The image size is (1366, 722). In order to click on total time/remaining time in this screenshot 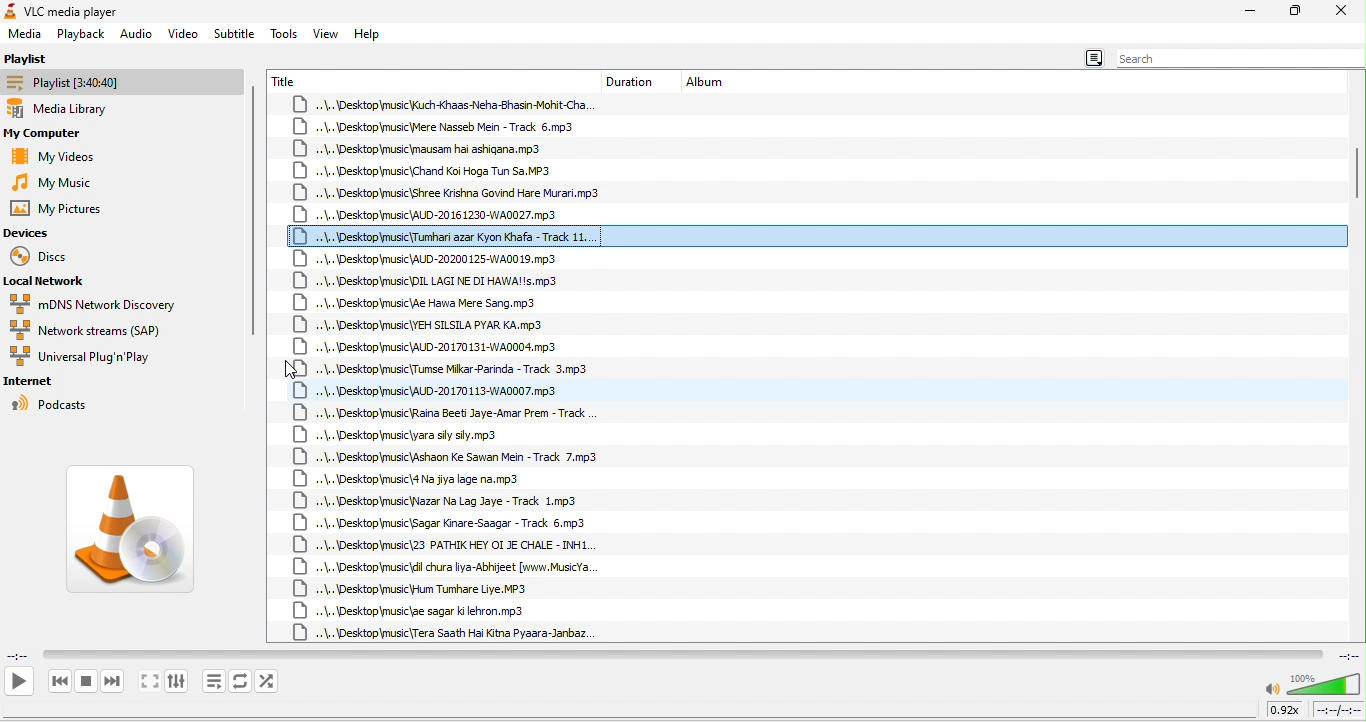, I will do `click(1337, 710)`.